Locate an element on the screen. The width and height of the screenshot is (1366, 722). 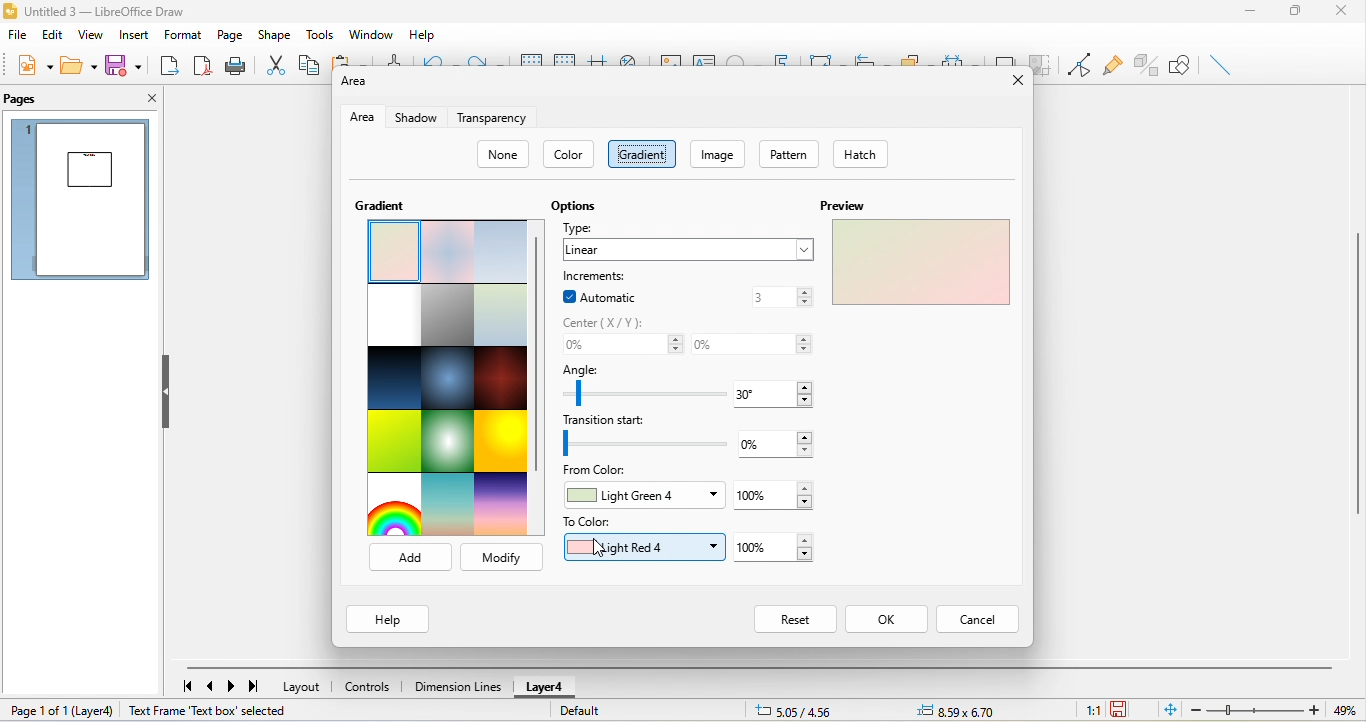
font work text is located at coordinates (783, 58).